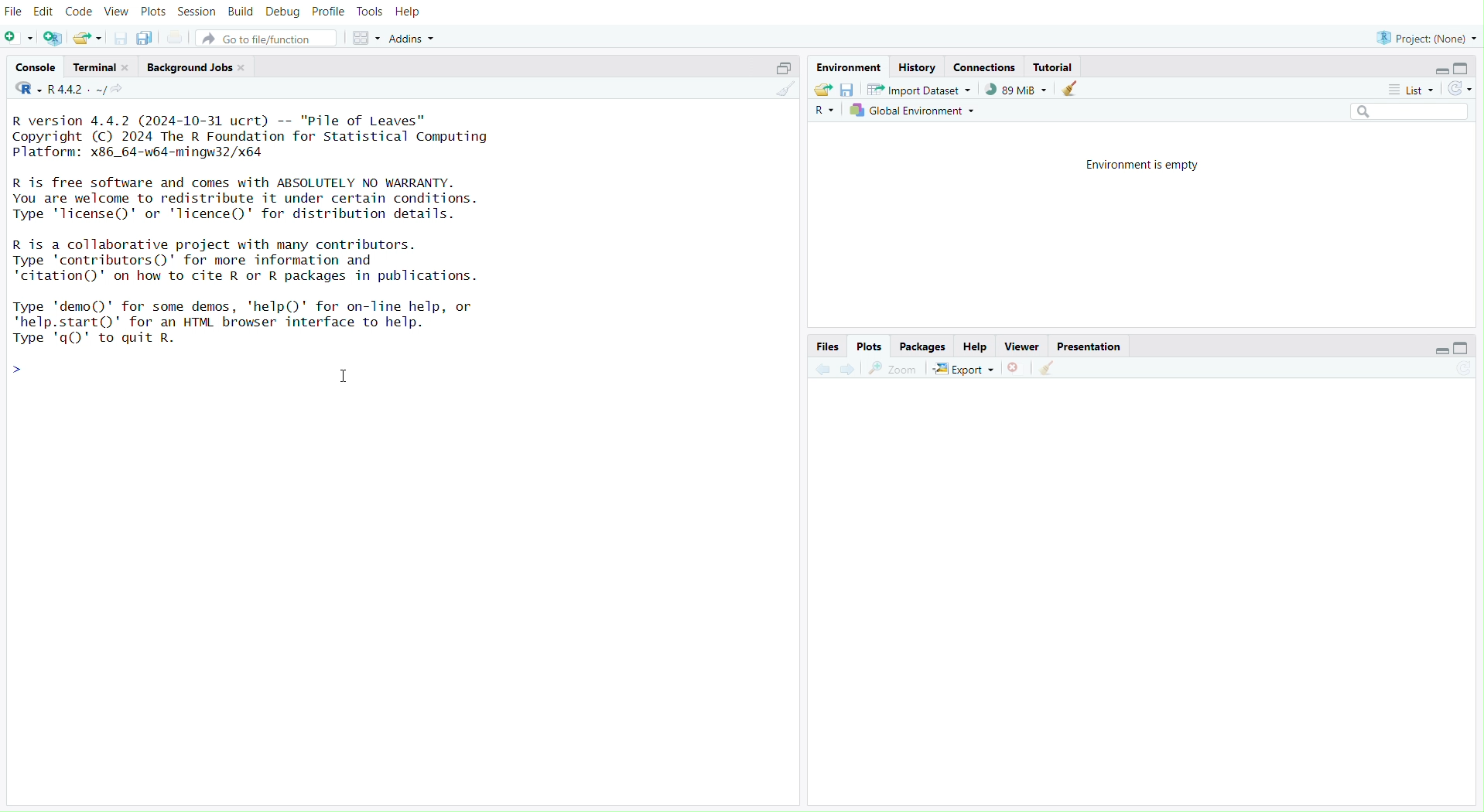  What do you see at coordinates (1440, 70) in the screenshot?
I see `Minimize` at bounding box center [1440, 70].